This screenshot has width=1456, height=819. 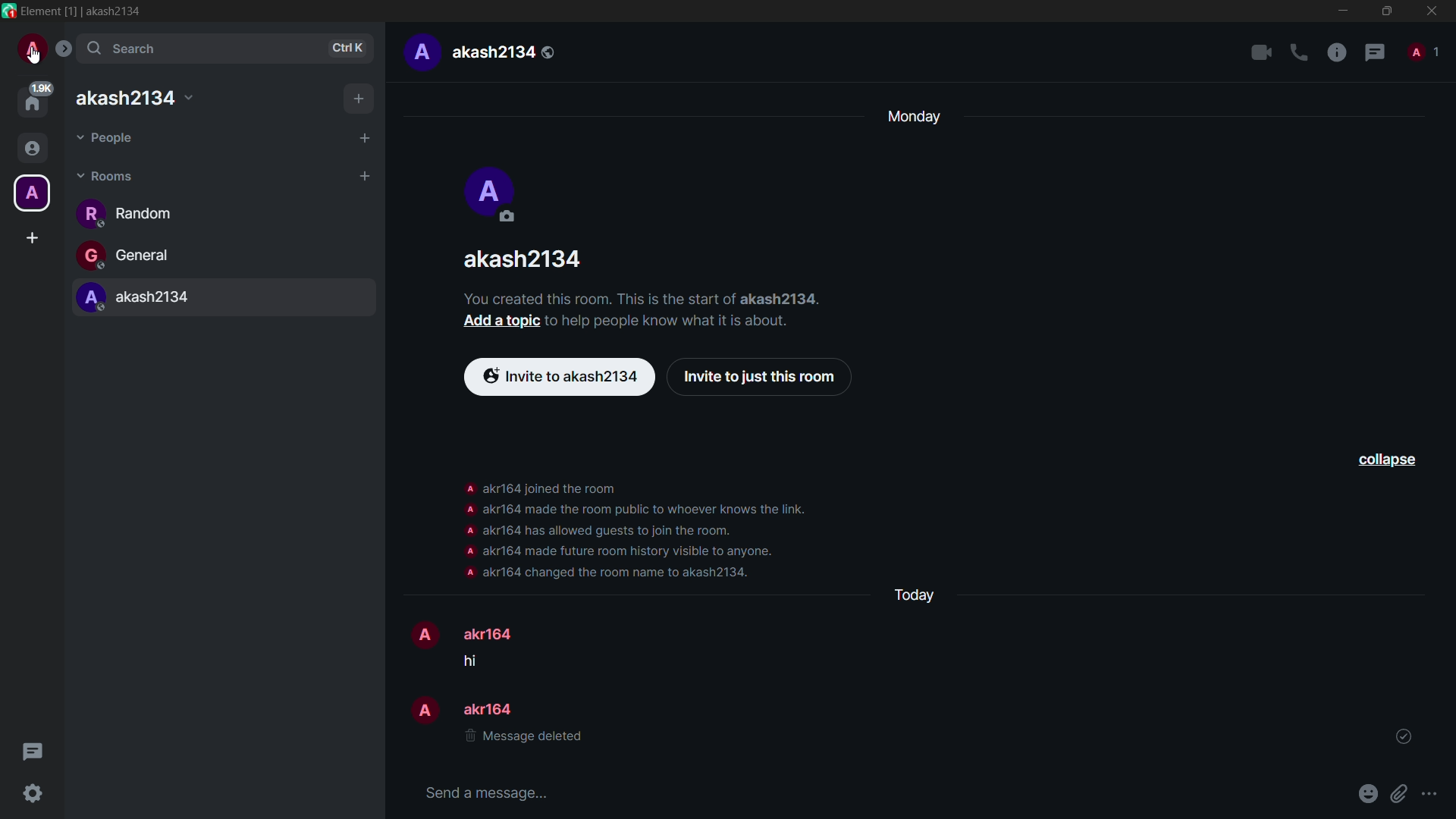 I want to click on emoji, so click(x=1370, y=792).